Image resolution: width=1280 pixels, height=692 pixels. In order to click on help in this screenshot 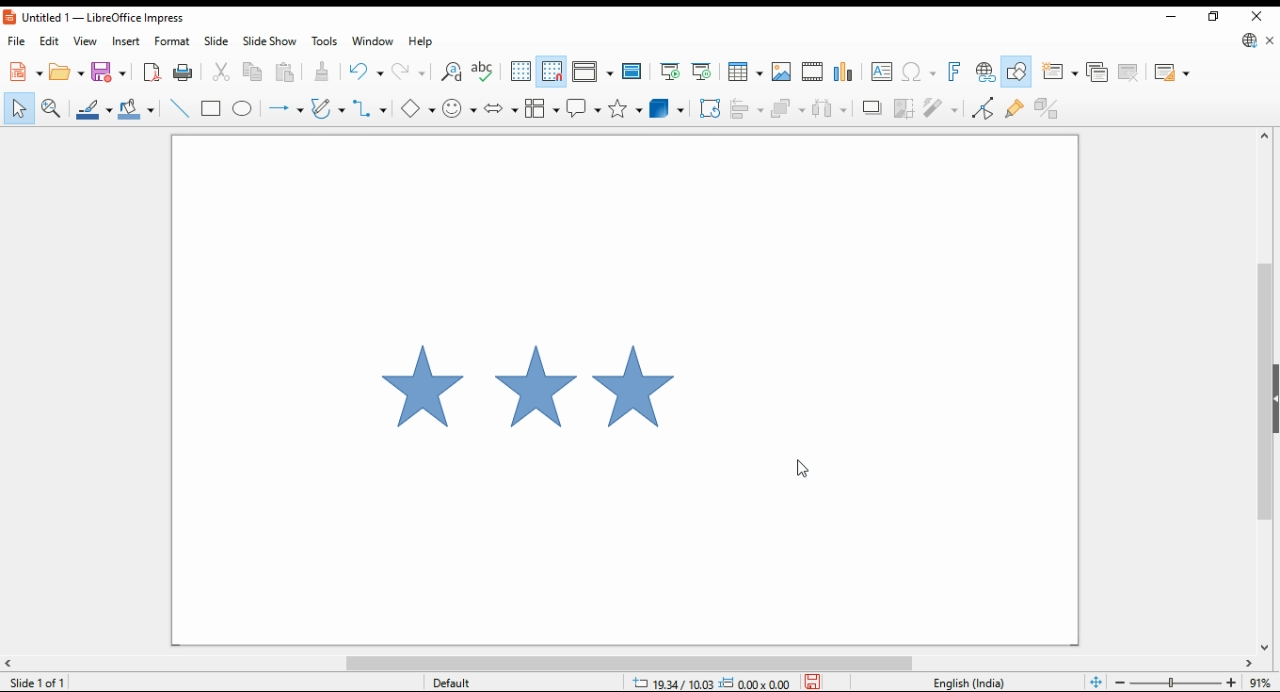, I will do `click(419, 43)`.